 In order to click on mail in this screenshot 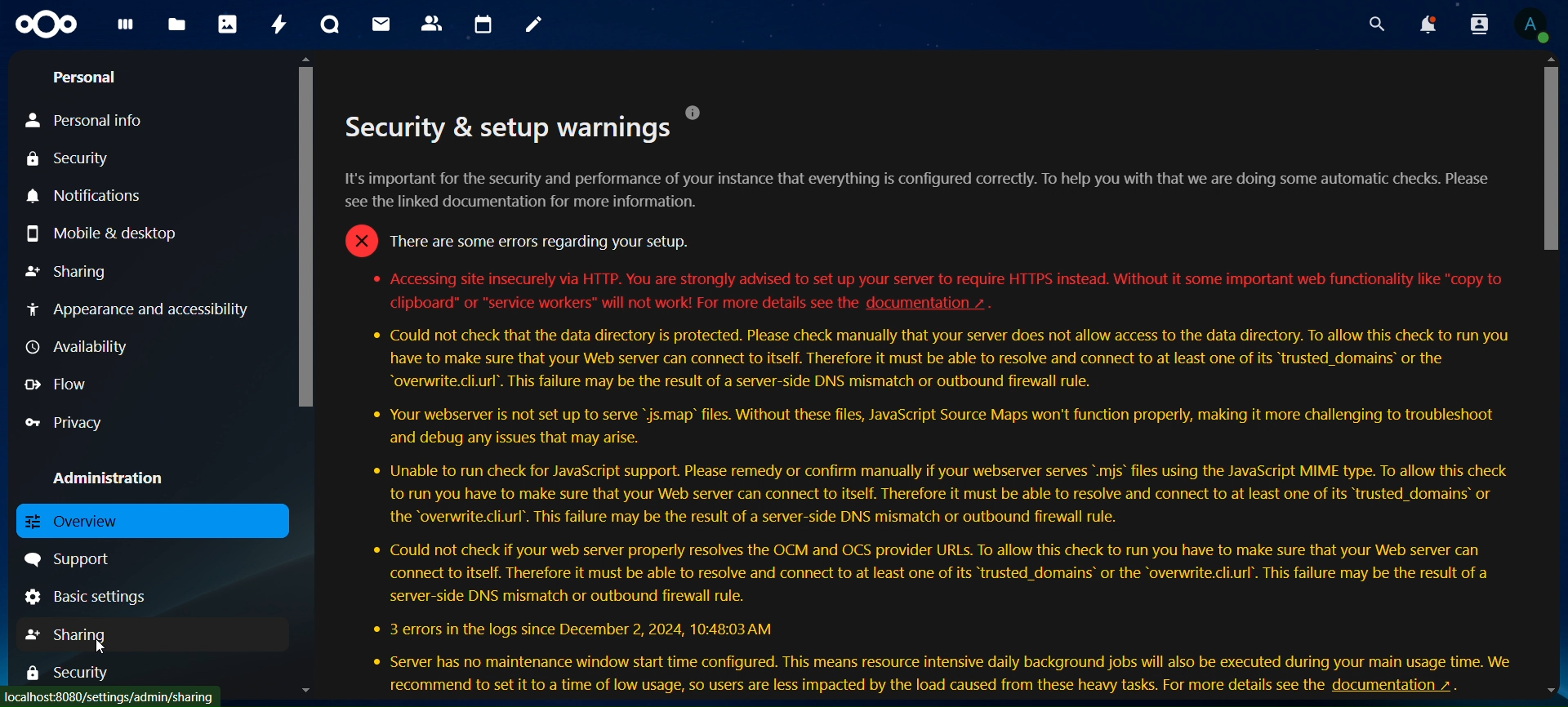, I will do `click(379, 24)`.